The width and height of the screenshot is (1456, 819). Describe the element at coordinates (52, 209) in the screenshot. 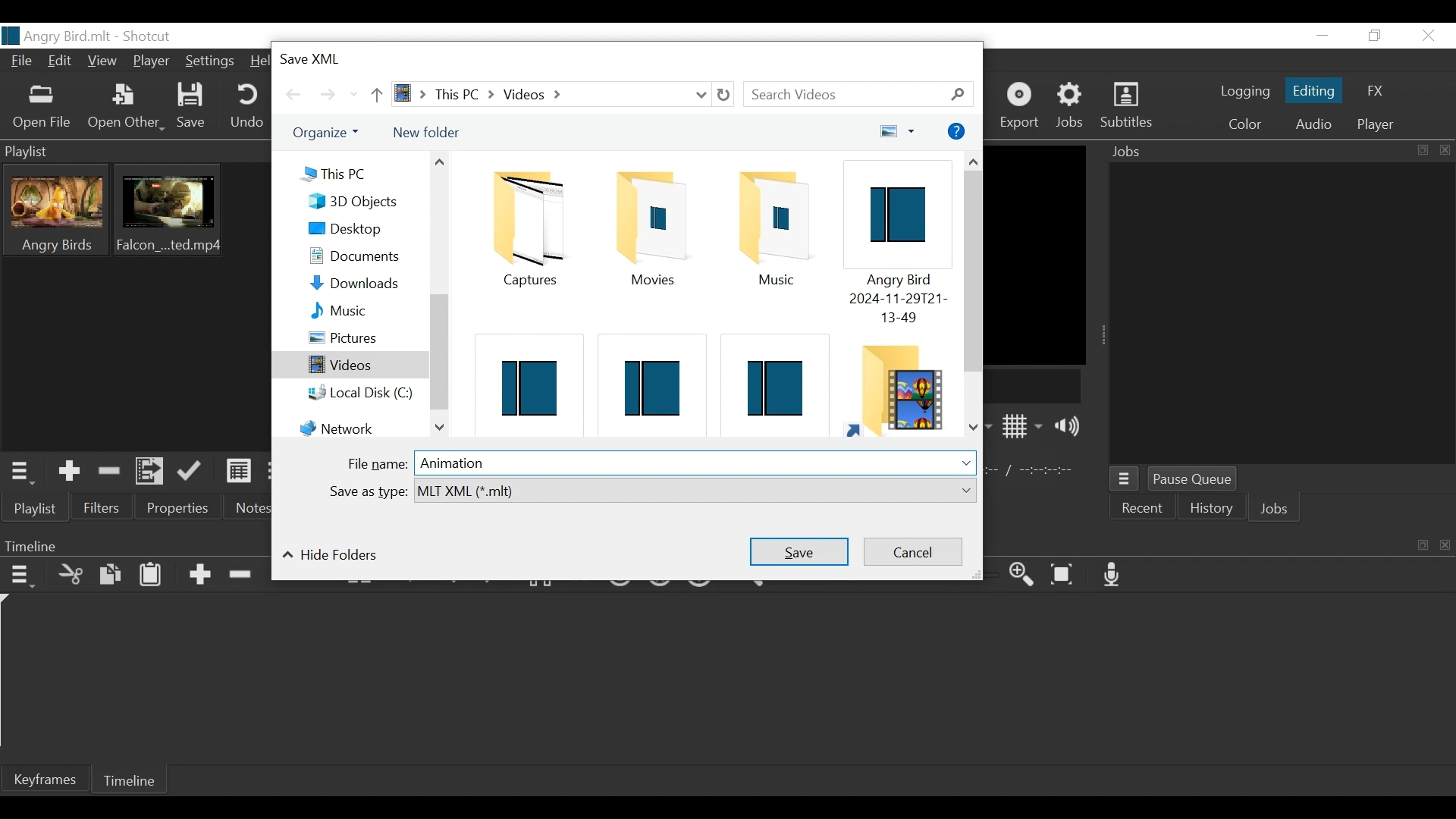

I see `Clip` at that location.